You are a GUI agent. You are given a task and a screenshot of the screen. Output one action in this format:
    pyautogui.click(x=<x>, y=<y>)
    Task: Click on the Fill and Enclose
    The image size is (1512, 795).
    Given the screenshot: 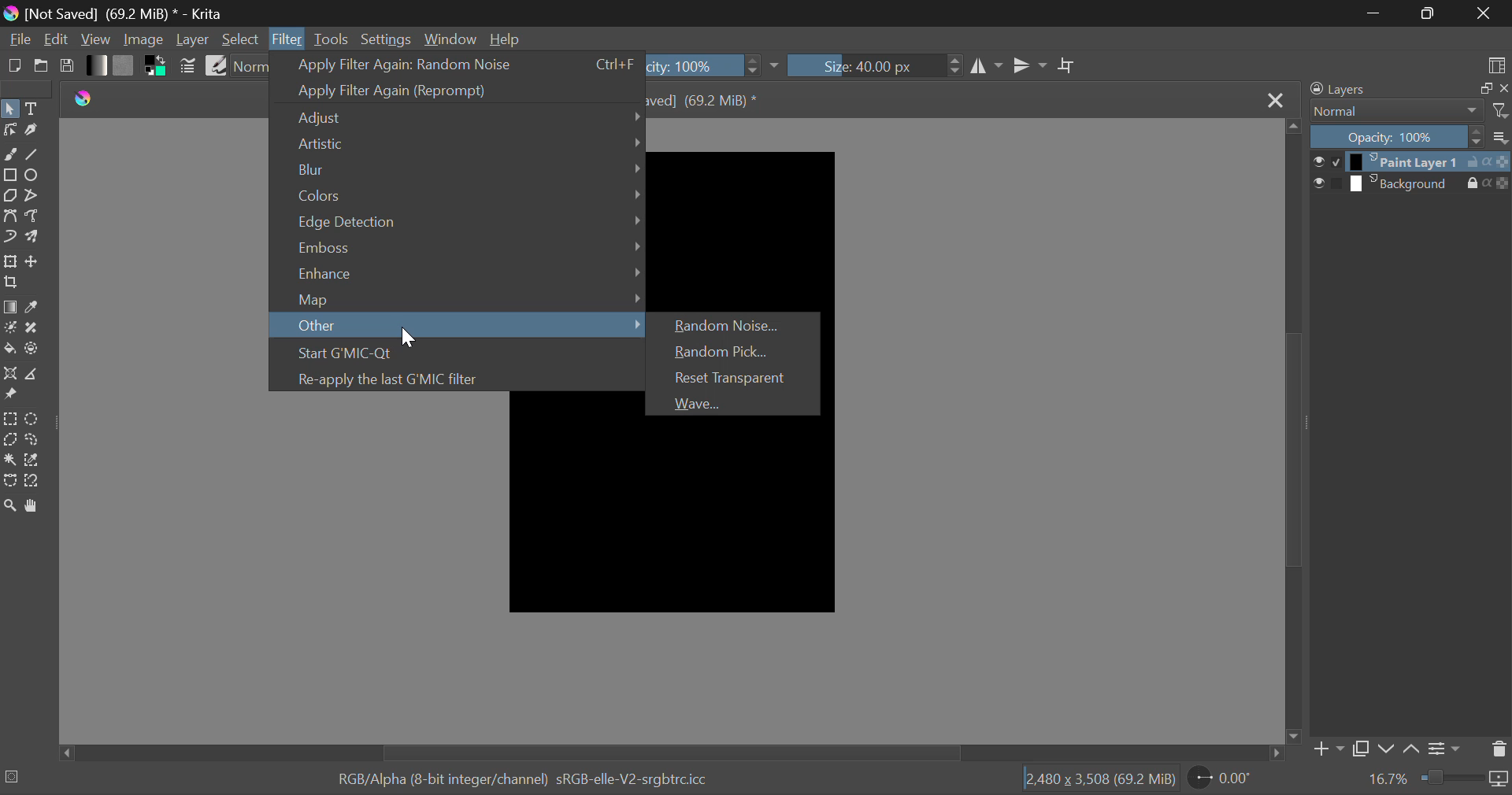 What is the action you would take?
    pyautogui.click(x=33, y=348)
    